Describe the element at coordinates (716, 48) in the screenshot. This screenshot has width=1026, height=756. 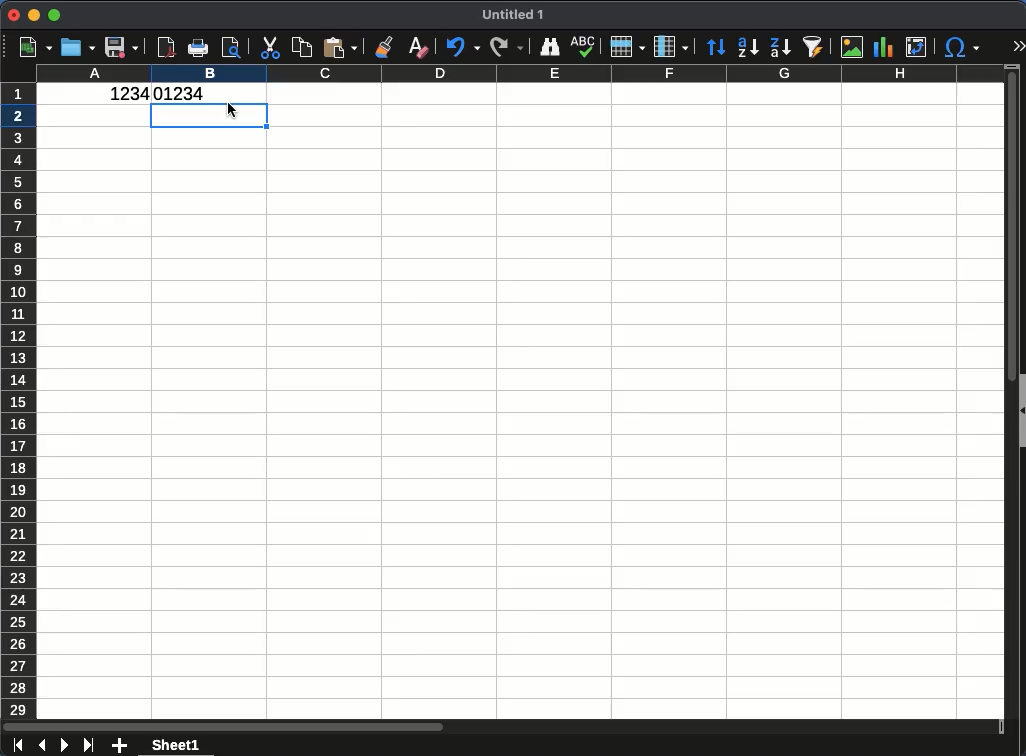
I see `sort` at that location.